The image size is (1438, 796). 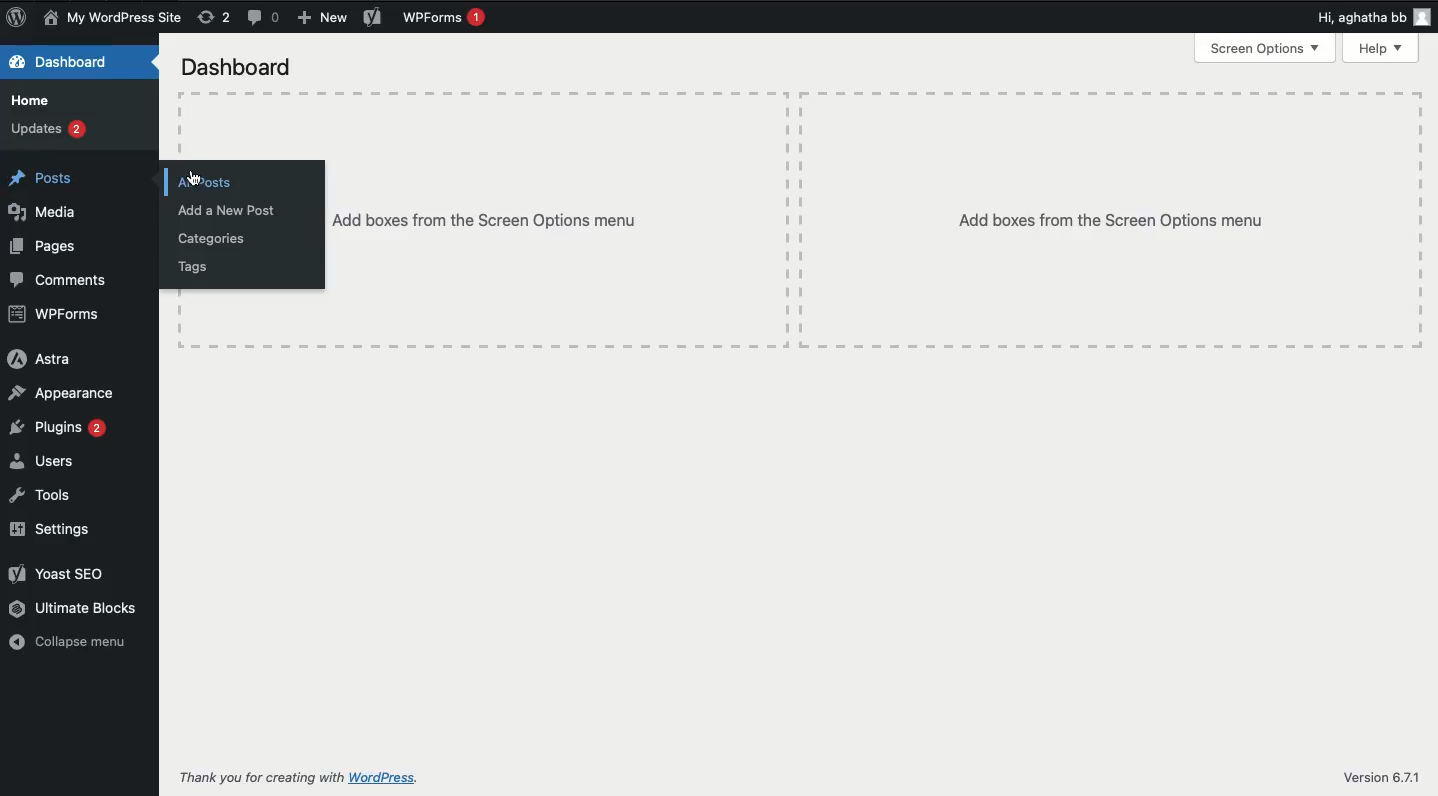 What do you see at coordinates (57, 529) in the screenshot?
I see `Settings` at bounding box center [57, 529].